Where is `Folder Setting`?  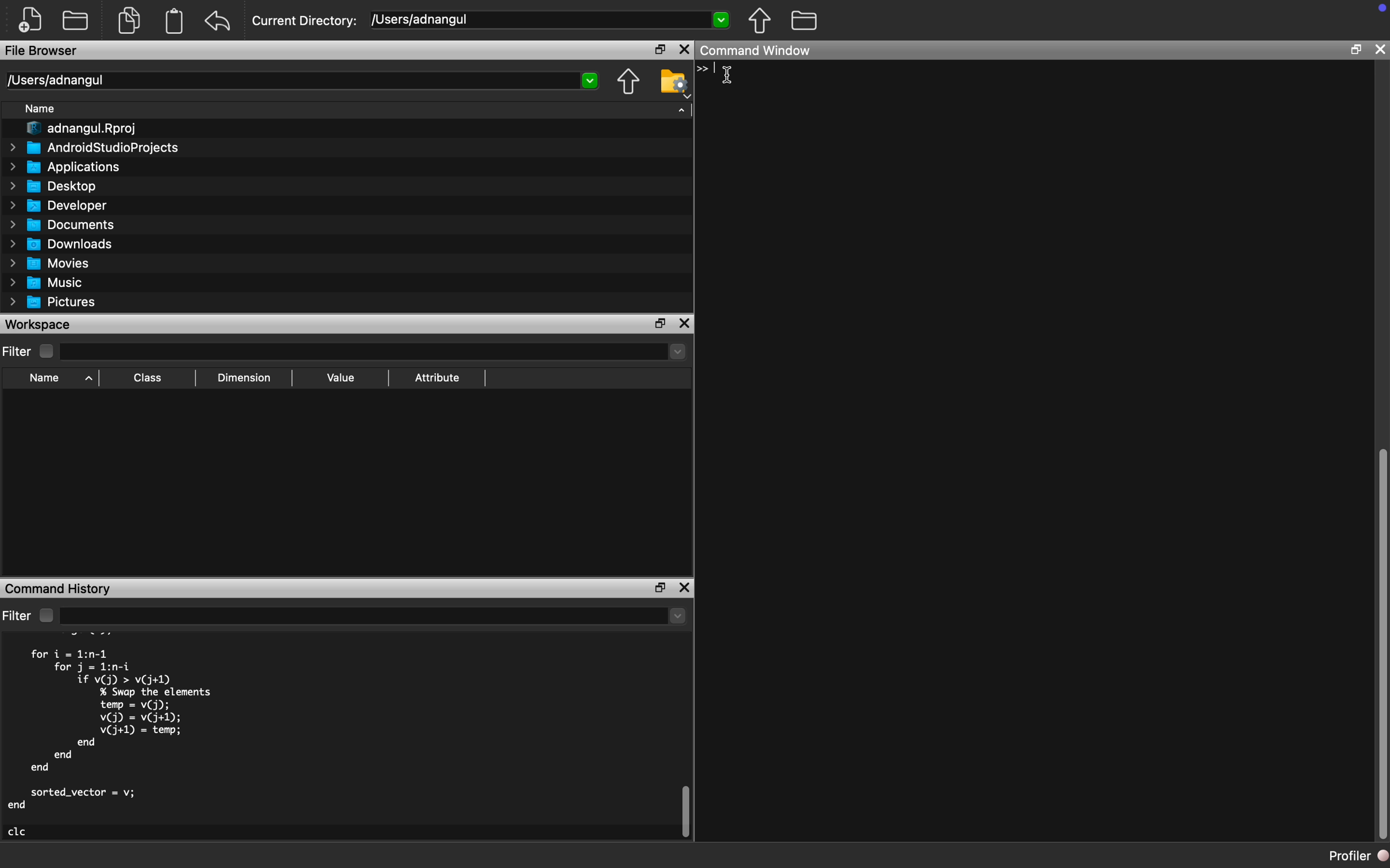 Folder Setting is located at coordinates (675, 83).